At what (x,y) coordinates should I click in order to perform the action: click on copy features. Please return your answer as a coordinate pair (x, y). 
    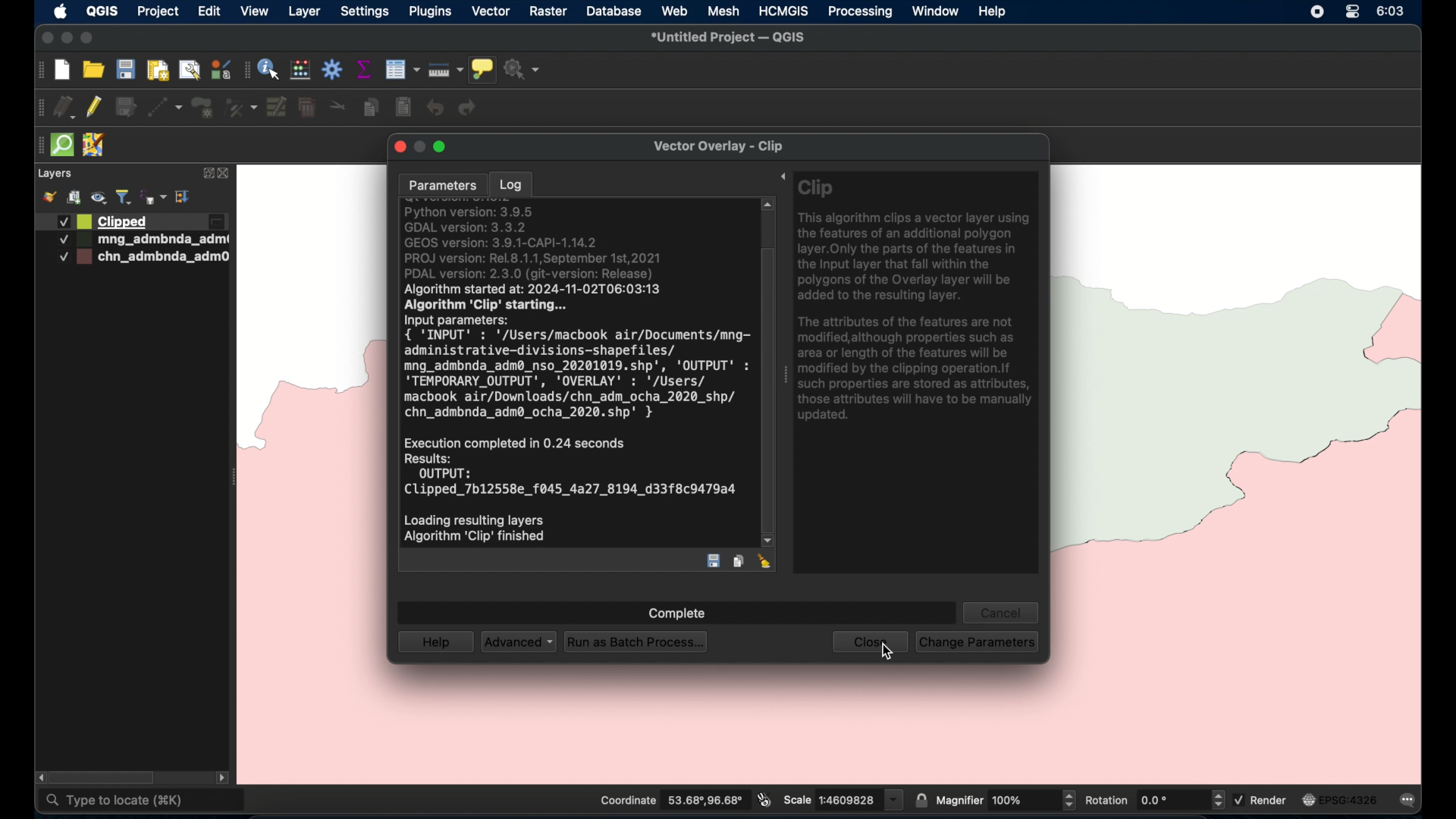
    Looking at the image, I should click on (372, 108).